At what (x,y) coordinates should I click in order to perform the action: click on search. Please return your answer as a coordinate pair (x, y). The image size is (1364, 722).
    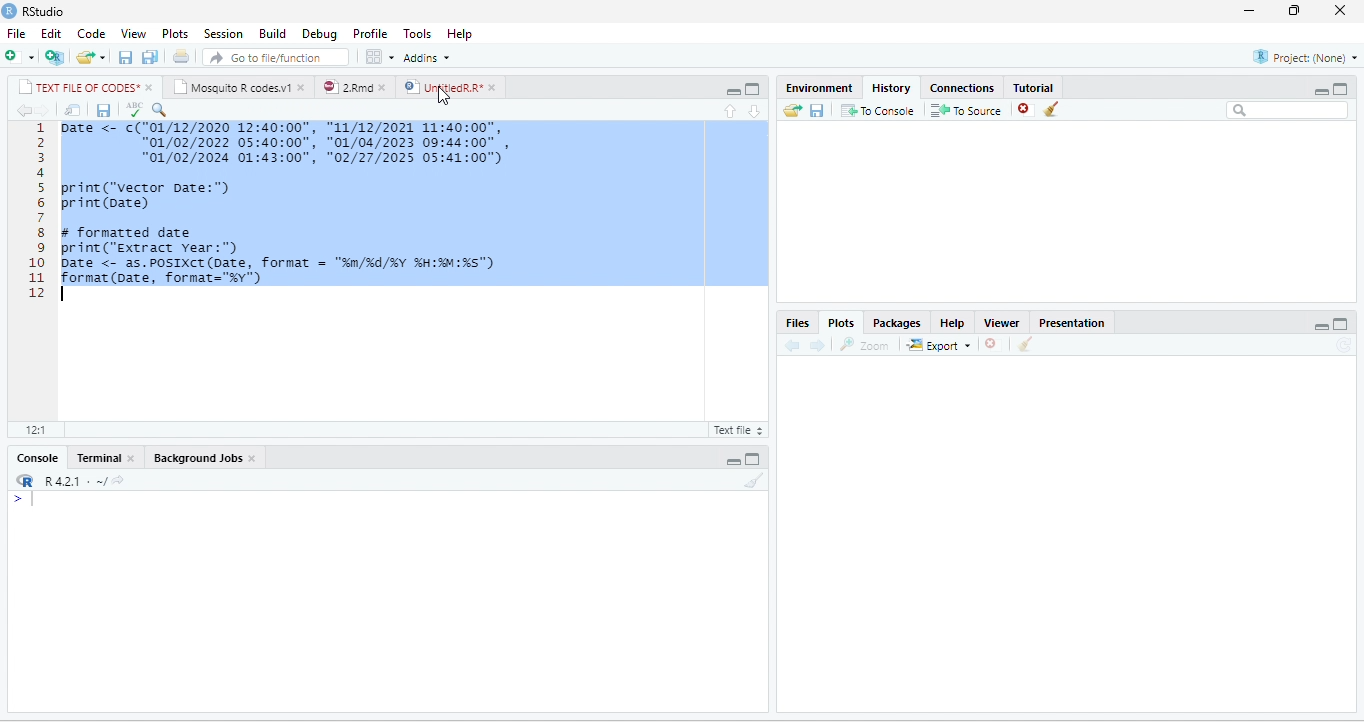
    Looking at the image, I should click on (160, 110).